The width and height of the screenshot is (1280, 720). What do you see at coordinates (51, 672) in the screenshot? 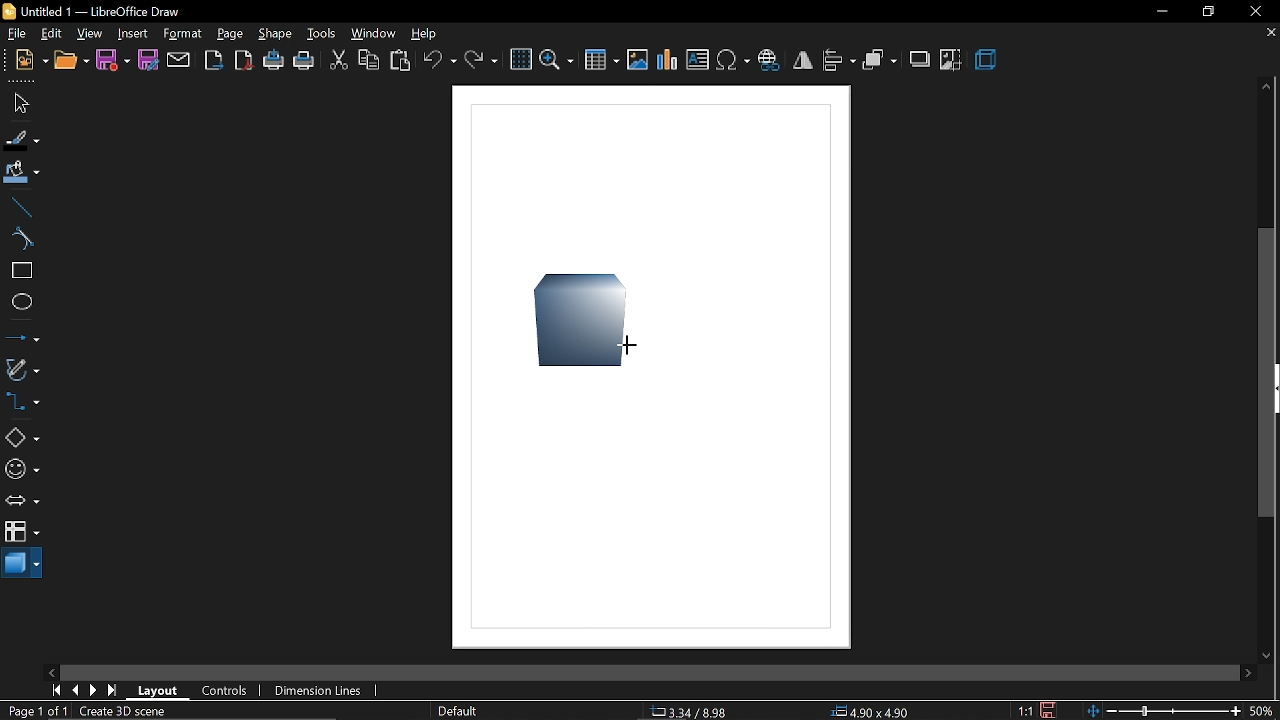
I see `move left` at bounding box center [51, 672].